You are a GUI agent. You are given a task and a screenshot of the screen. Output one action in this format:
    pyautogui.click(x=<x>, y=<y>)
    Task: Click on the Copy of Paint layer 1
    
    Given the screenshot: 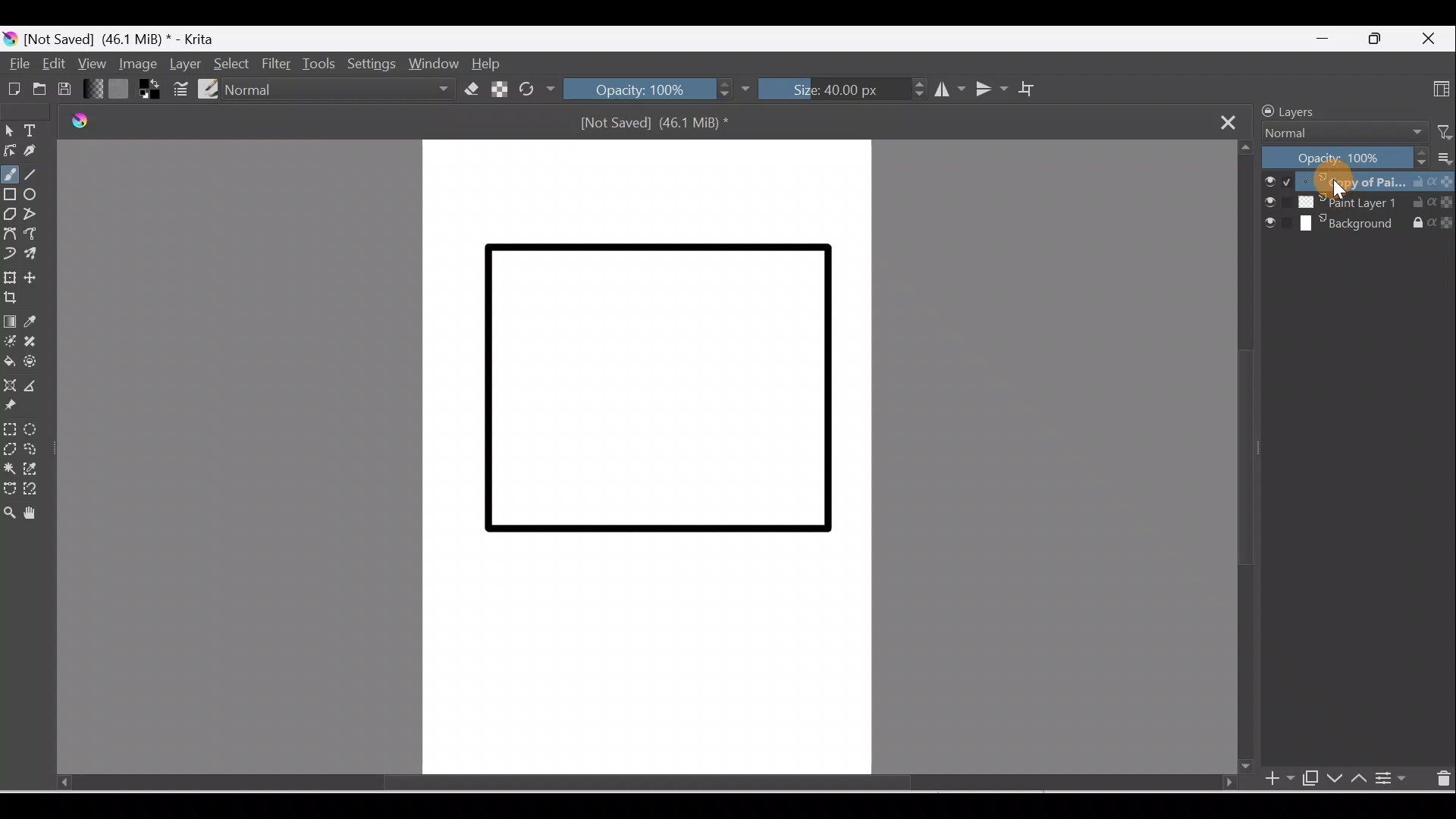 What is the action you would take?
    pyautogui.click(x=1361, y=183)
    